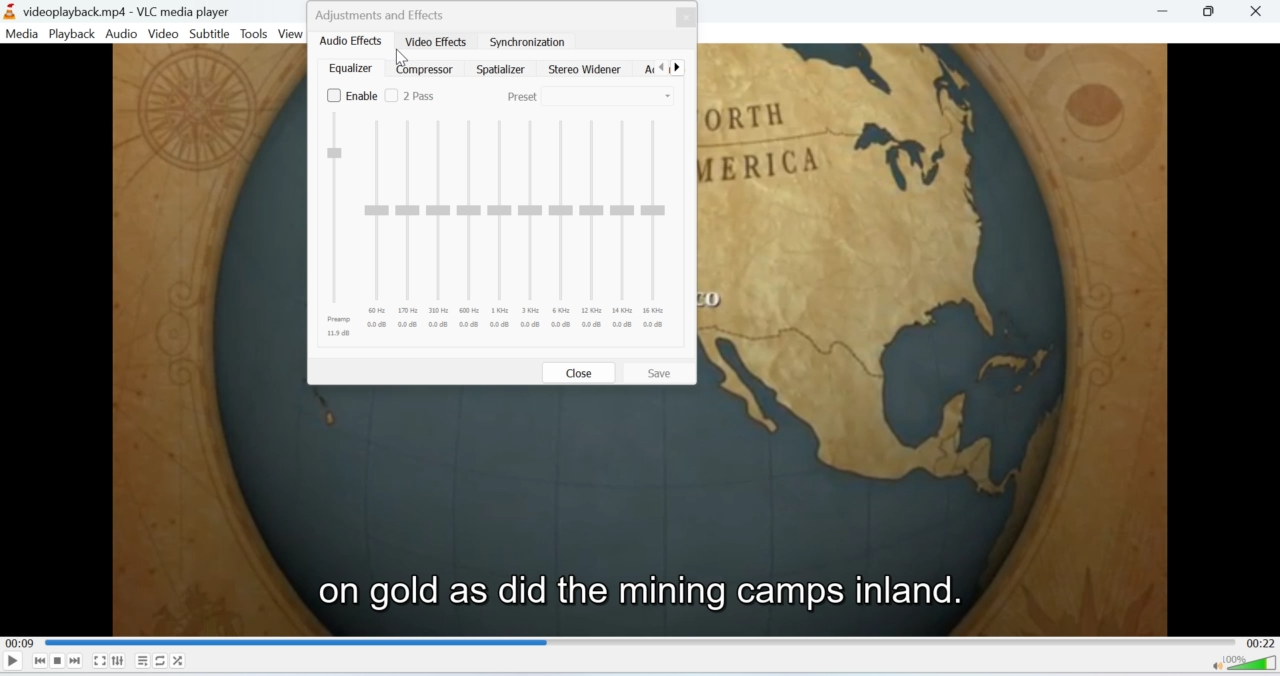 Image resolution: width=1280 pixels, height=676 pixels. What do you see at coordinates (118, 661) in the screenshot?
I see `Extended Settings` at bounding box center [118, 661].